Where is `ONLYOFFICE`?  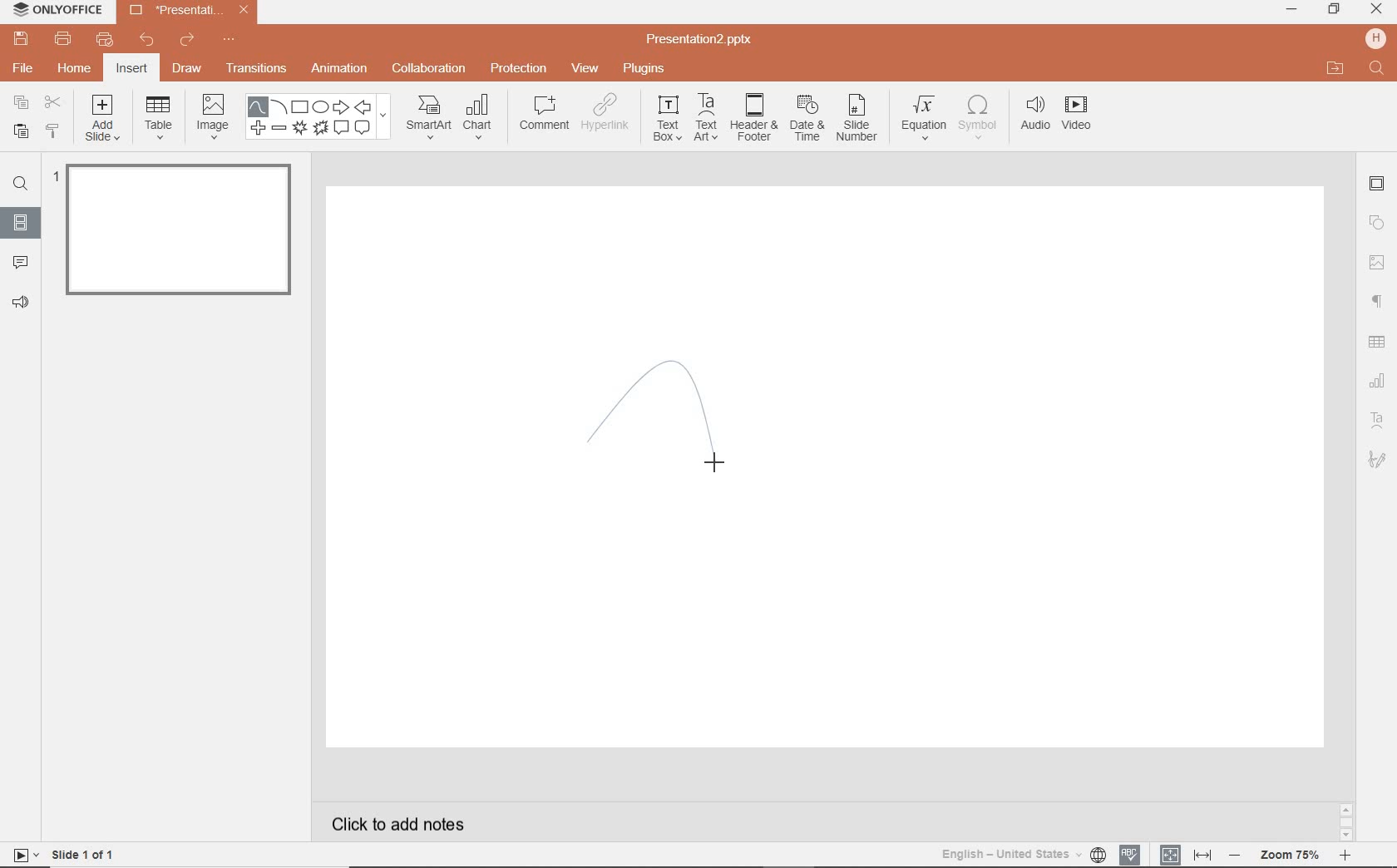 ONLYOFFICE is located at coordinates (58, 11).